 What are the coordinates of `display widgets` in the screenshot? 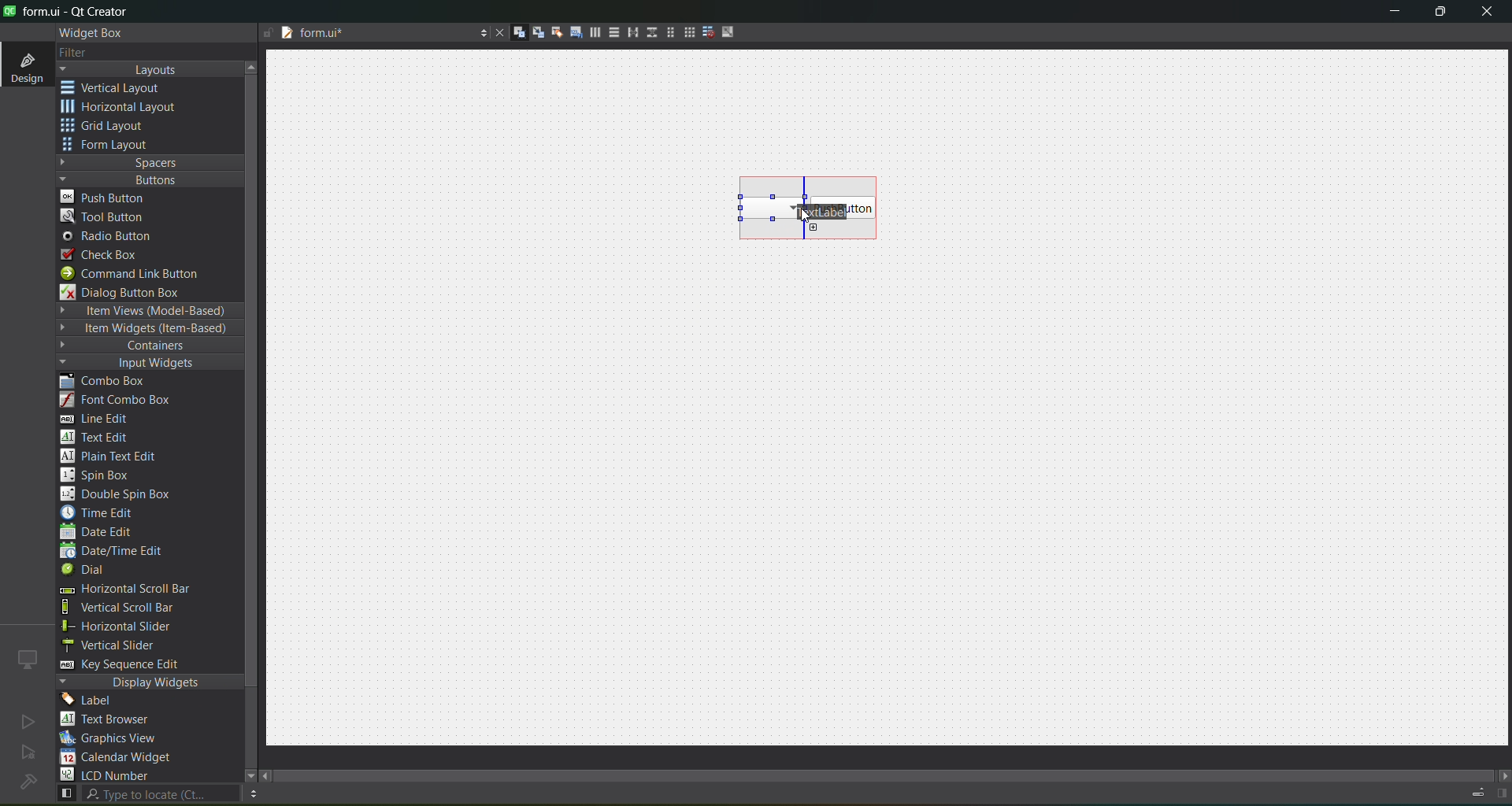 It's located at (150, 682).